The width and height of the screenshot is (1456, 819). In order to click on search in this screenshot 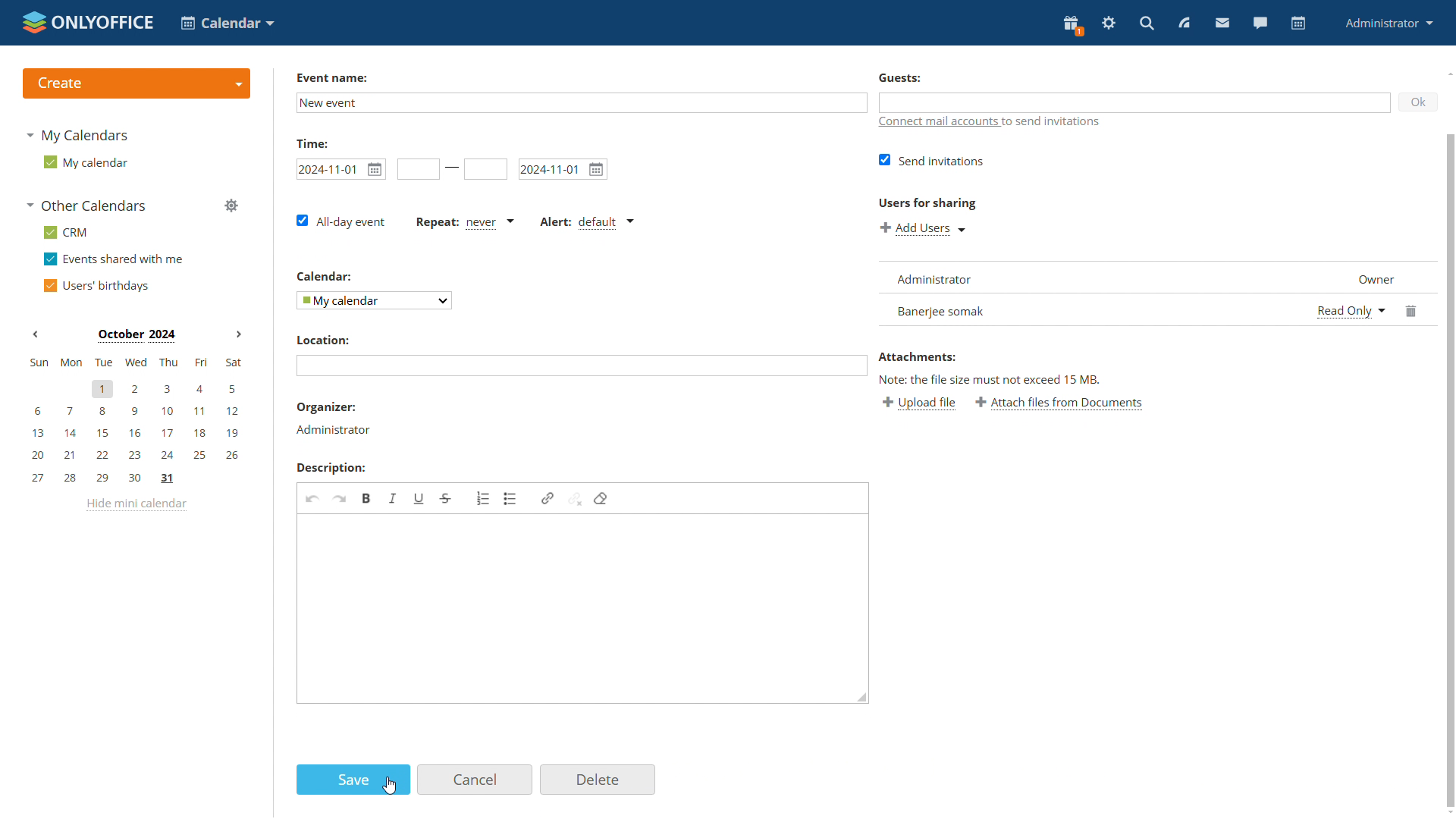, I will do `click(1146, 24)`.